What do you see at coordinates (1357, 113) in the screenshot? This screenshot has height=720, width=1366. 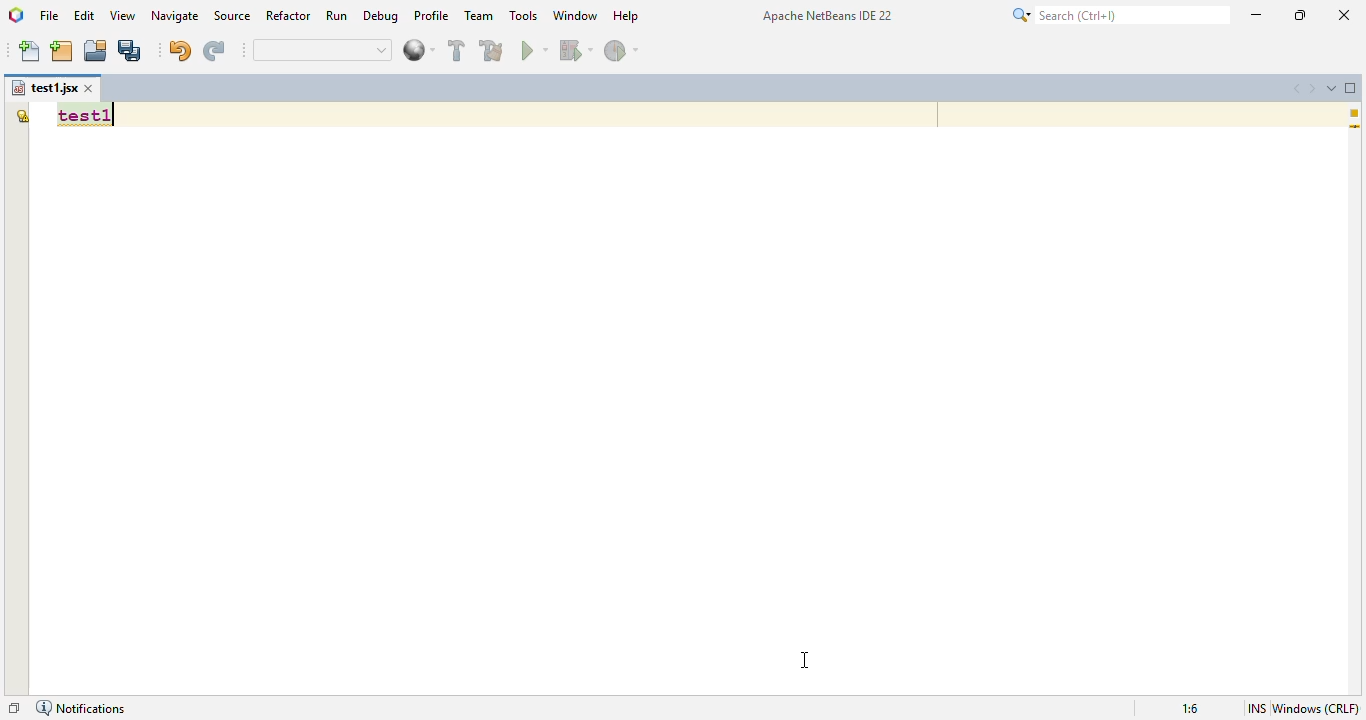 I see `1 warning` at bounding box center [1357, 113].